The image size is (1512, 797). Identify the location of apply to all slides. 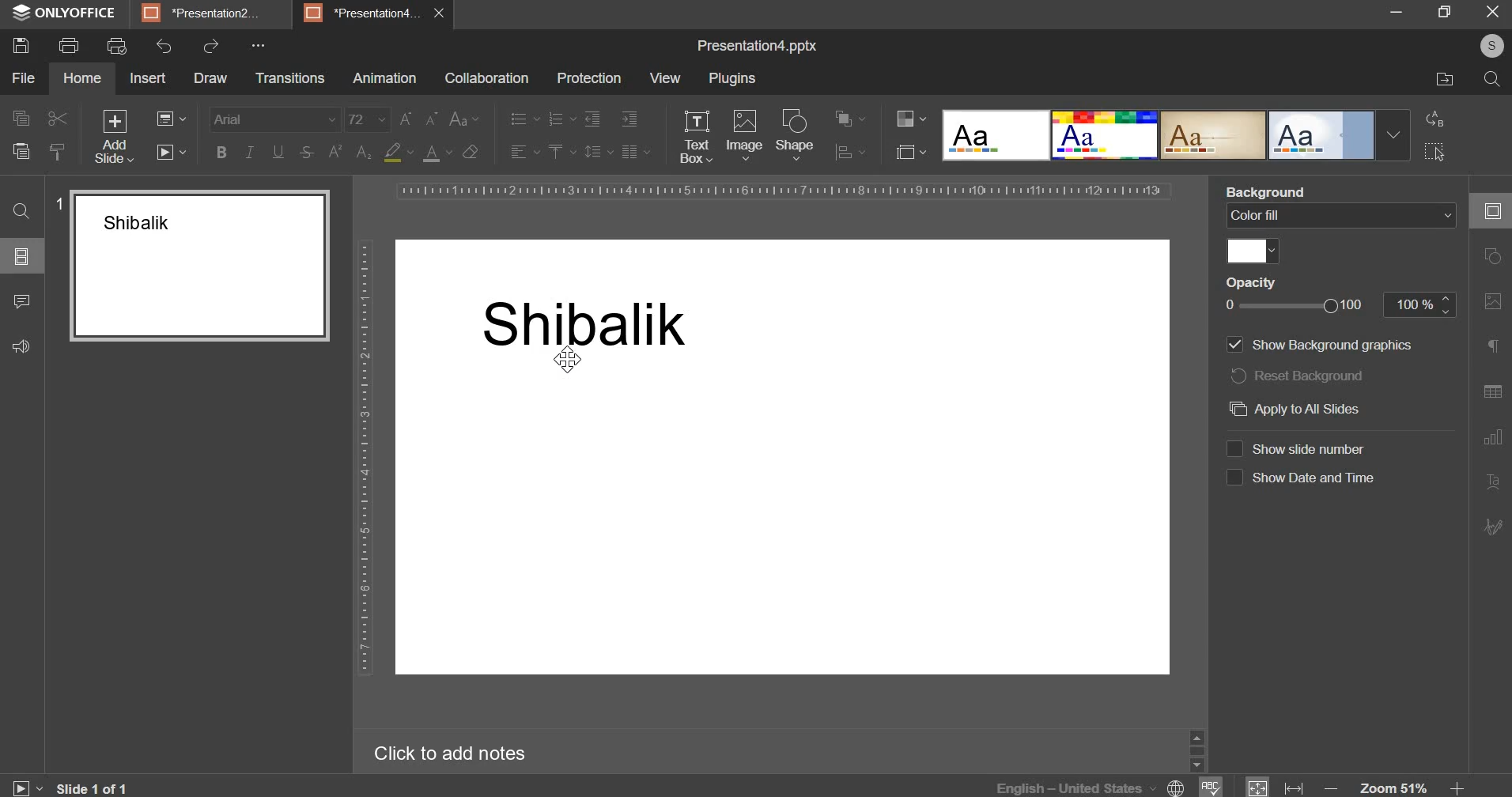
(1300, 408).